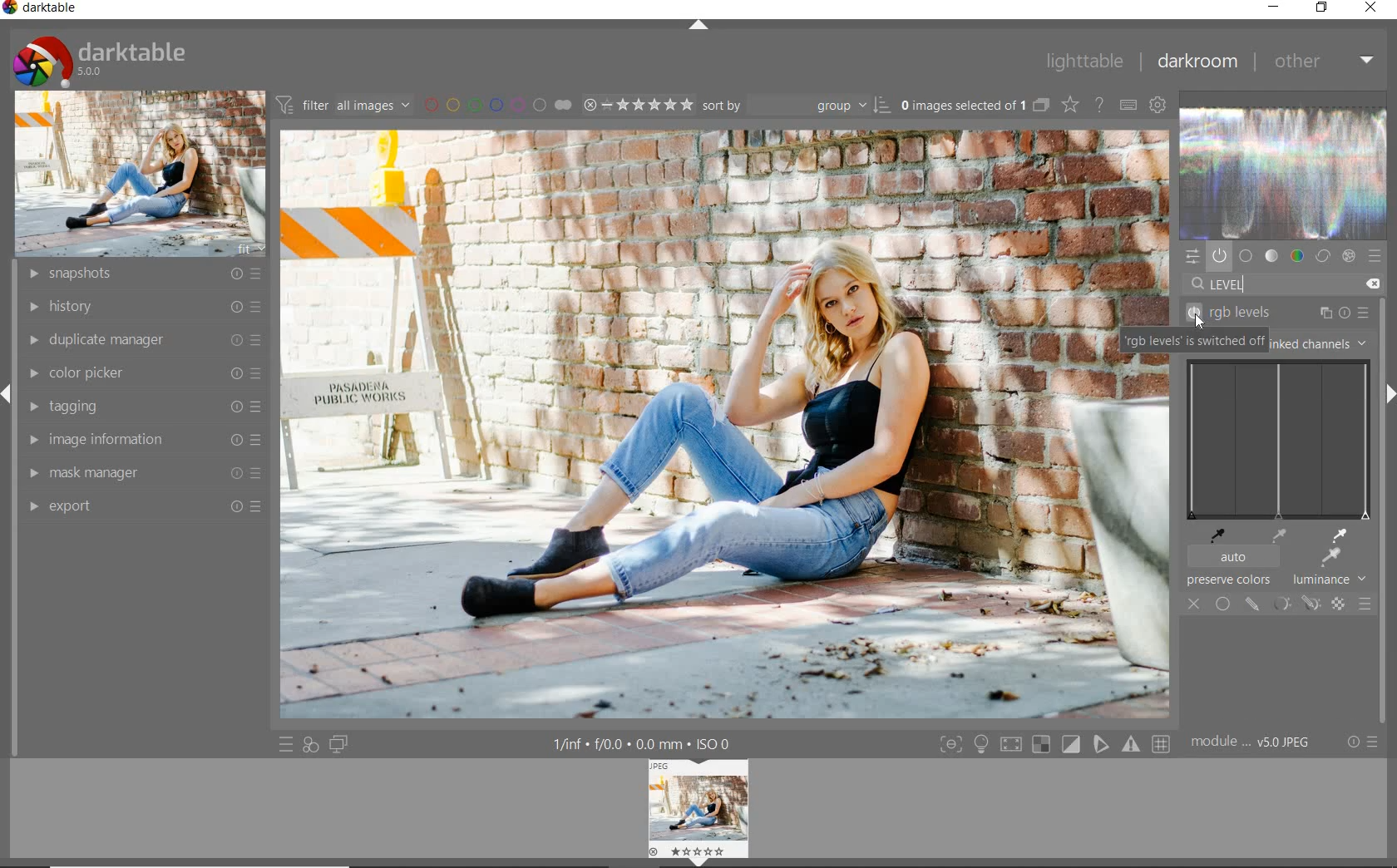 The width and height of the screenshot is (1397, 868). Describe the element at coordinates (638, 106) in the screenshot. I see `selected Image range rating` at that location.